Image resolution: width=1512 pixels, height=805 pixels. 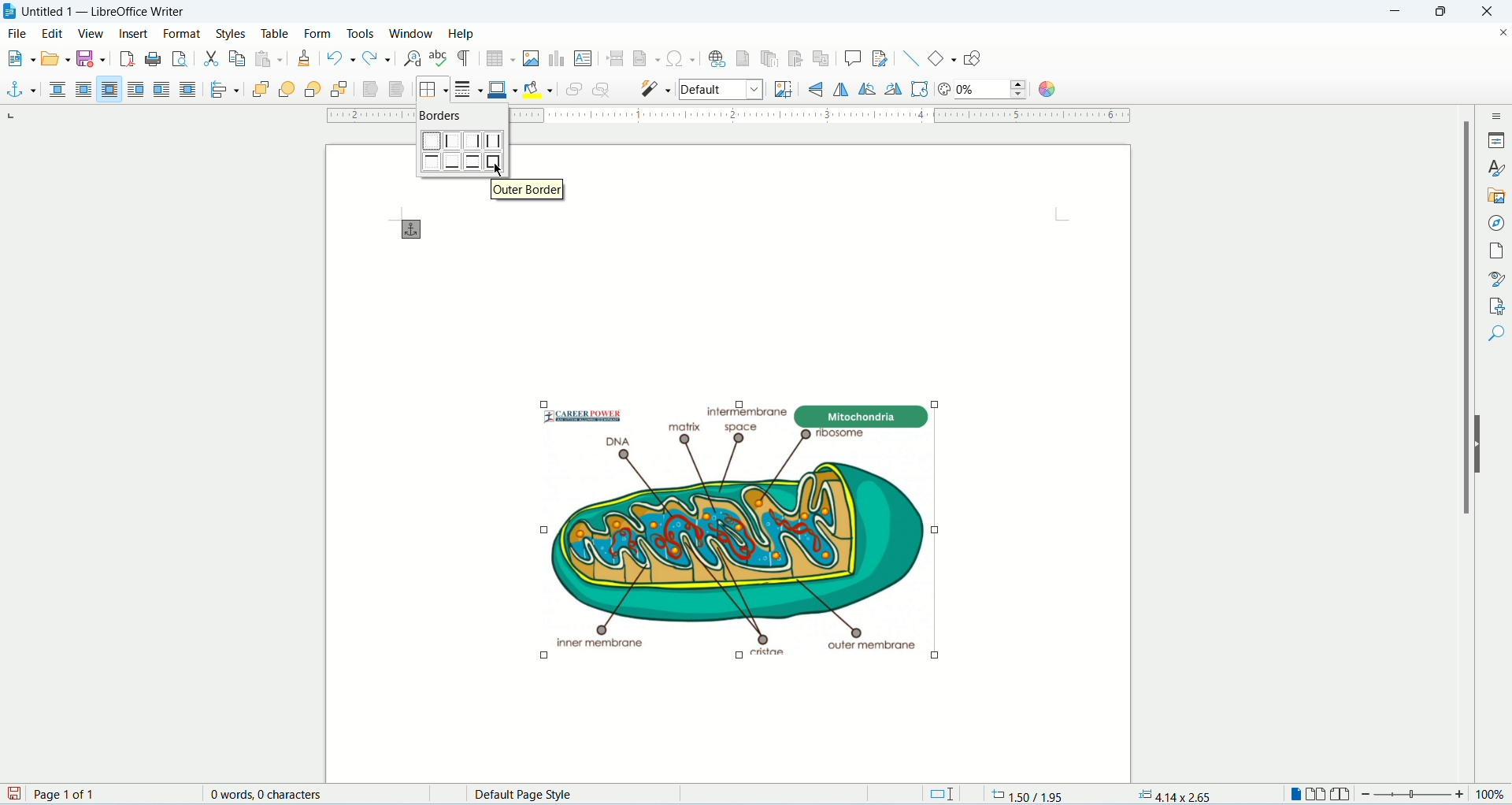 What do you see at coordinates (532, 58) in the screenshot?
I see `insert image` at bounding box center [532, 58].